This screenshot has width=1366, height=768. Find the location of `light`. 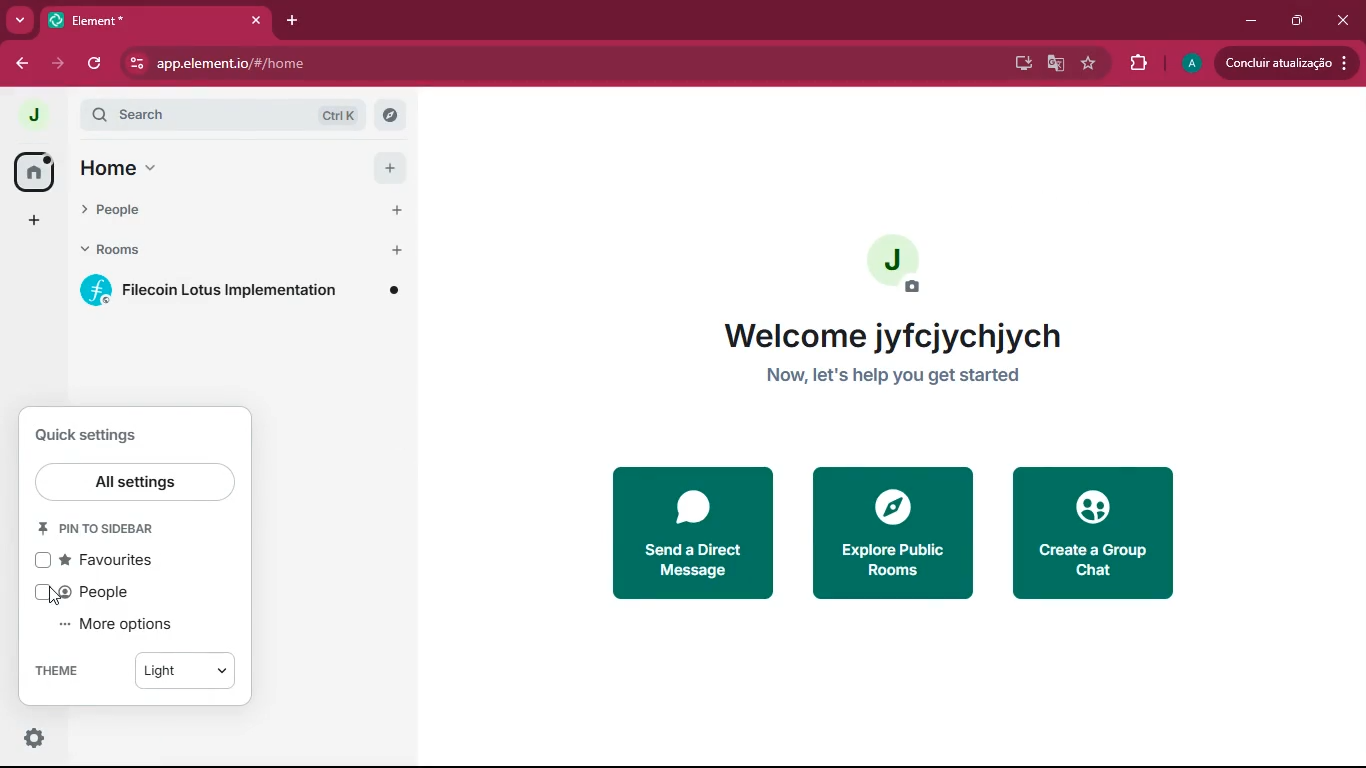

light is located at coordinates (184, 672).